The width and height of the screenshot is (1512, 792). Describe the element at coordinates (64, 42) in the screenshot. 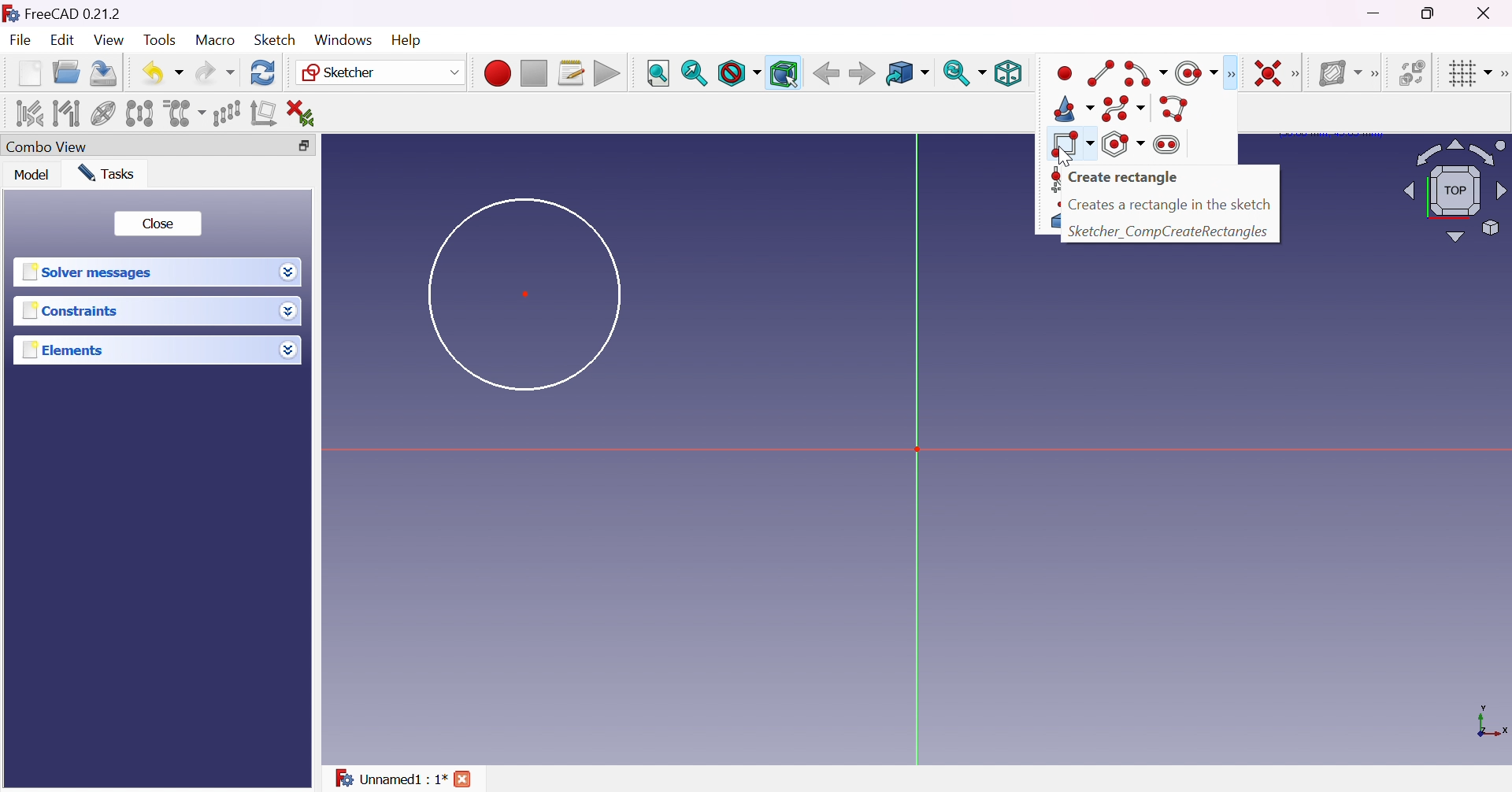

I see `Edit` at that location.